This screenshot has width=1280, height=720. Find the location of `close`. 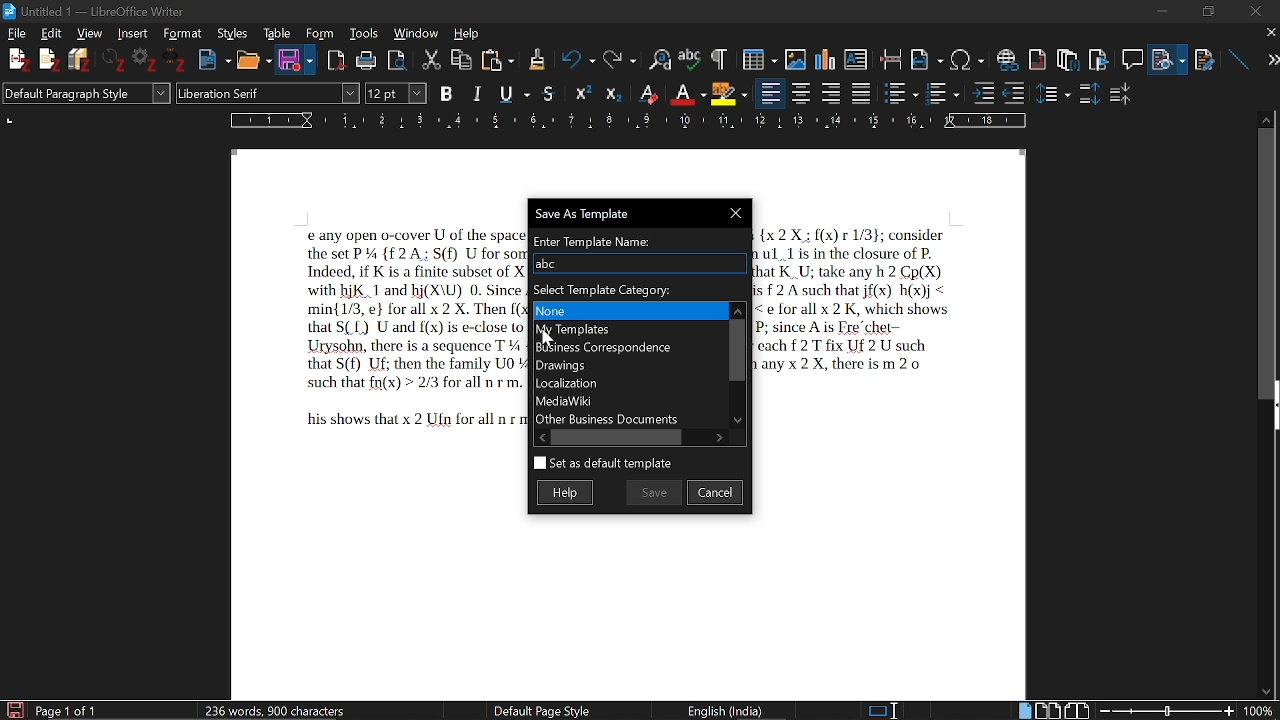

close is located at coordinates (1256, 10).